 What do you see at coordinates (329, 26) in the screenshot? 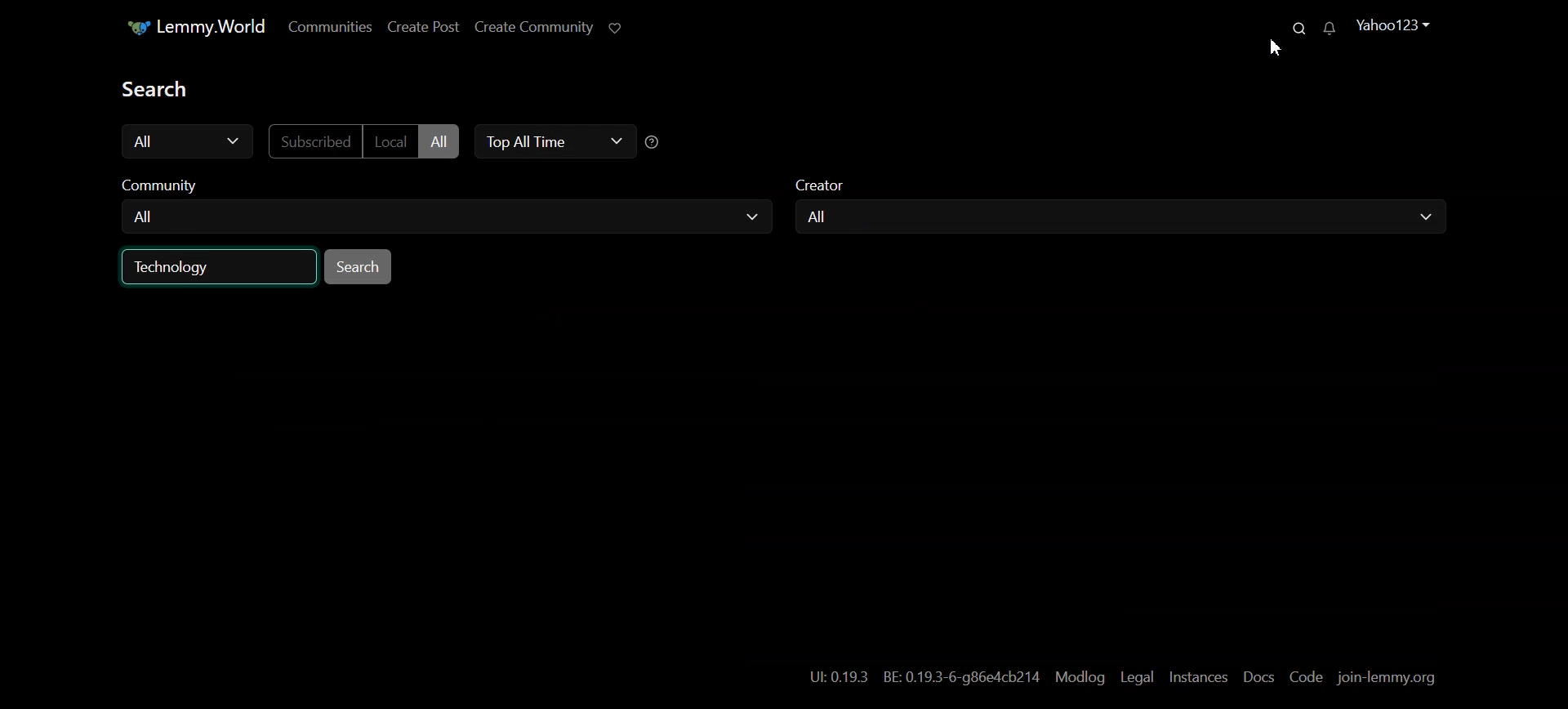
I see `Communities` at bounding box center [329, 26].